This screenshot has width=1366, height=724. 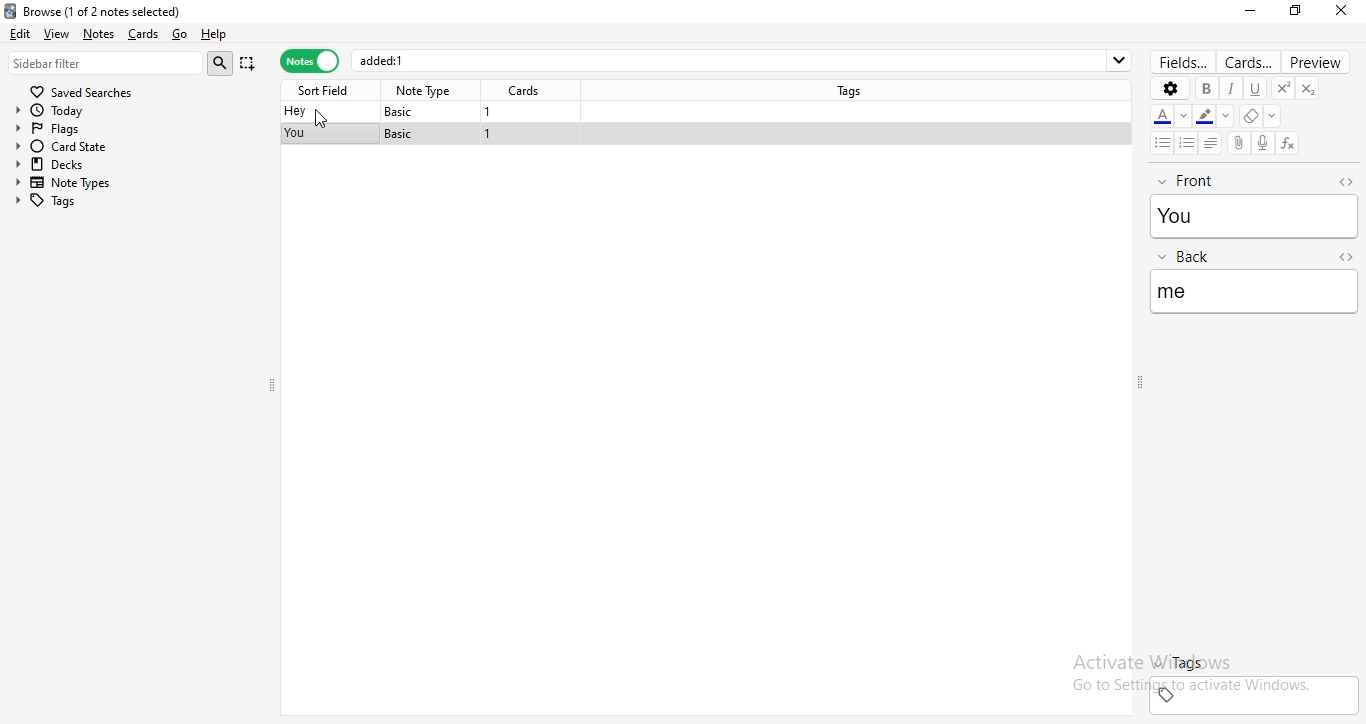 I want to click on notes, so click(x=309, y=62).